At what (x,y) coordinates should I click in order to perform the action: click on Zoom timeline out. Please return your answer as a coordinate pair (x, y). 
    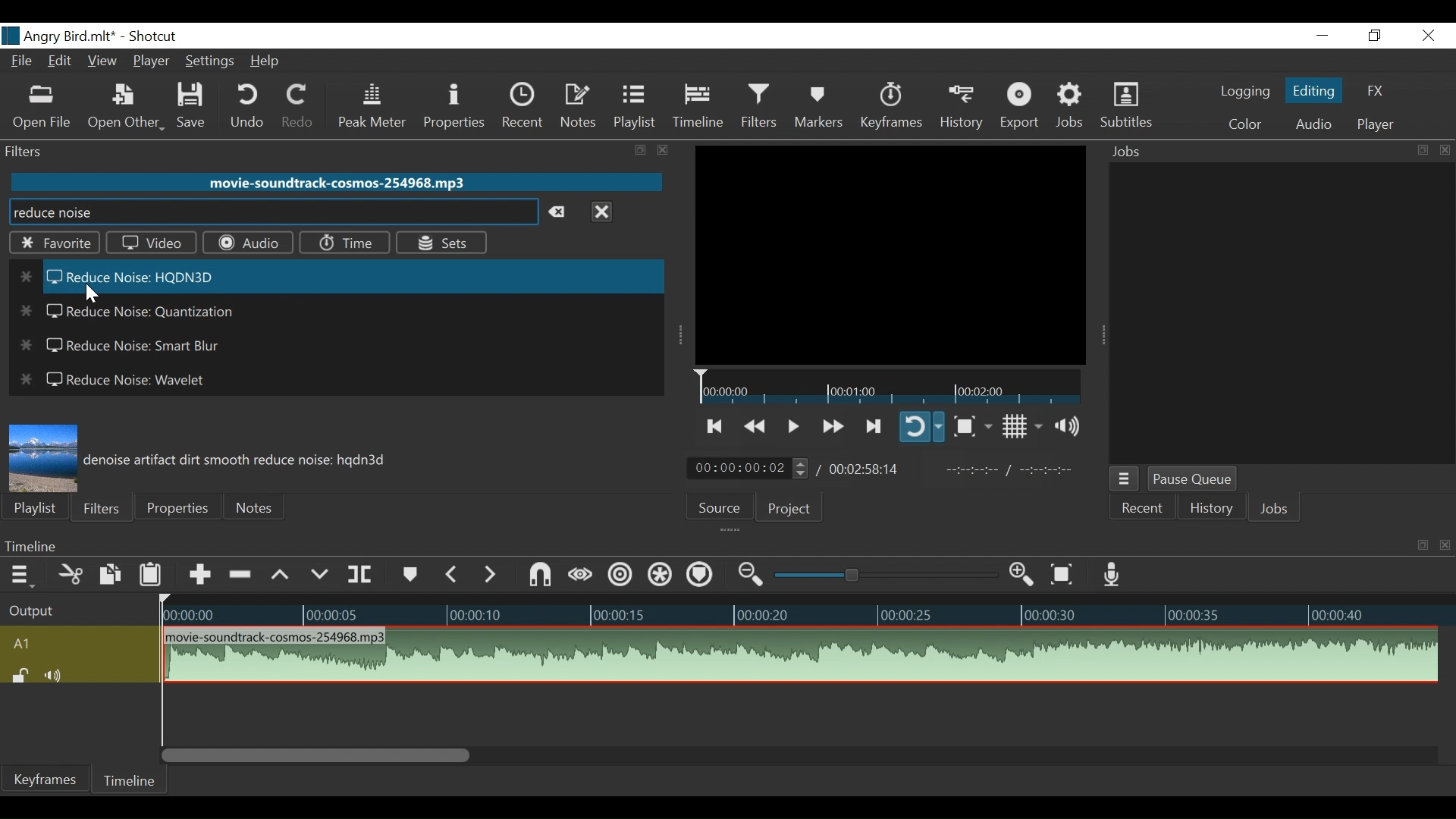
    Looking at the image, I should click on (748, 576).